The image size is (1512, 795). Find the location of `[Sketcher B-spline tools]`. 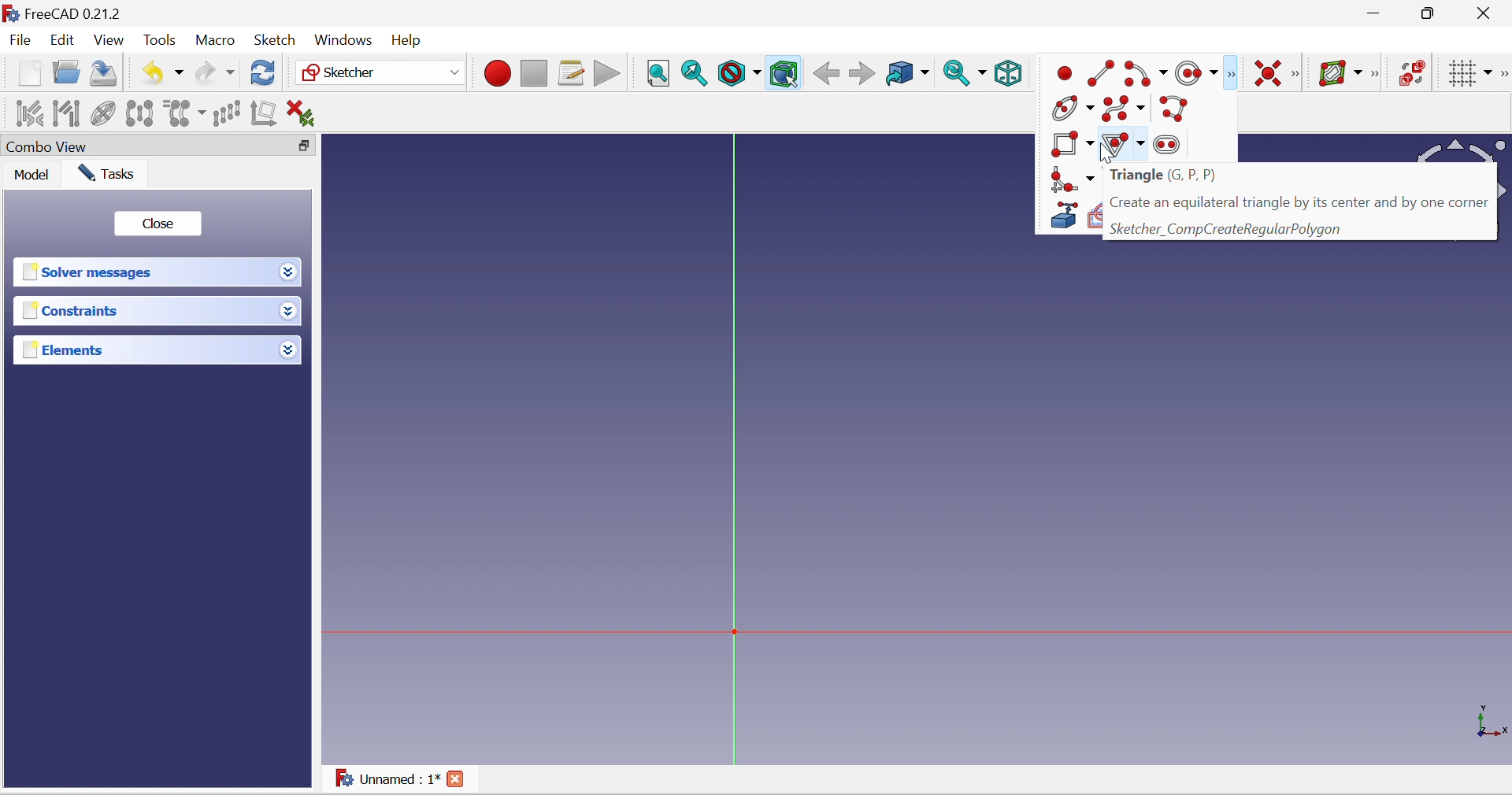

[Sketcher B-spline tools] is located at coordinates (1378, 74).